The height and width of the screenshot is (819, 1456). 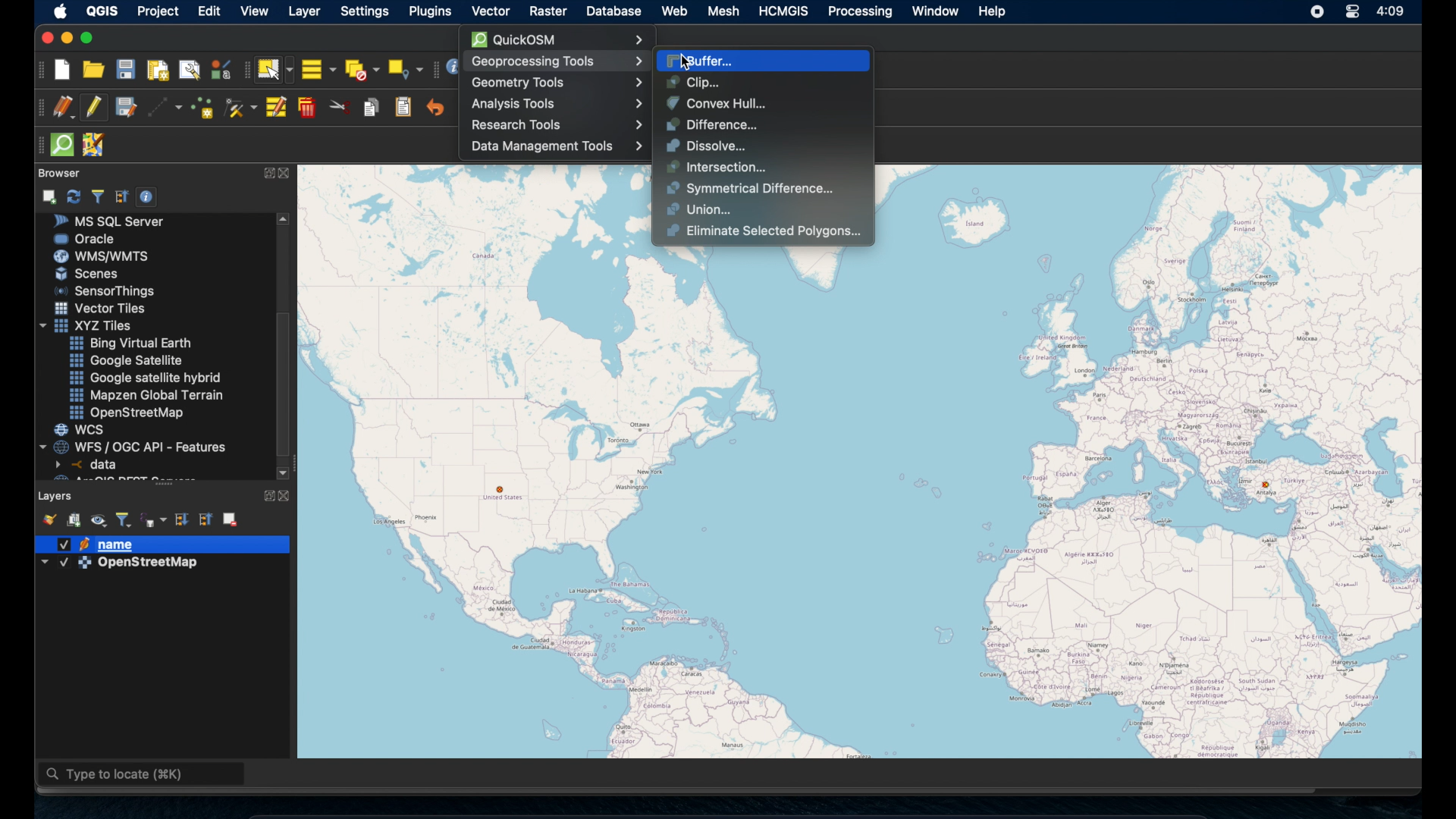 What do you see at coordinates (203, 106) in the screenshot?
I see `add point feature` at bounding box center [203, 106].